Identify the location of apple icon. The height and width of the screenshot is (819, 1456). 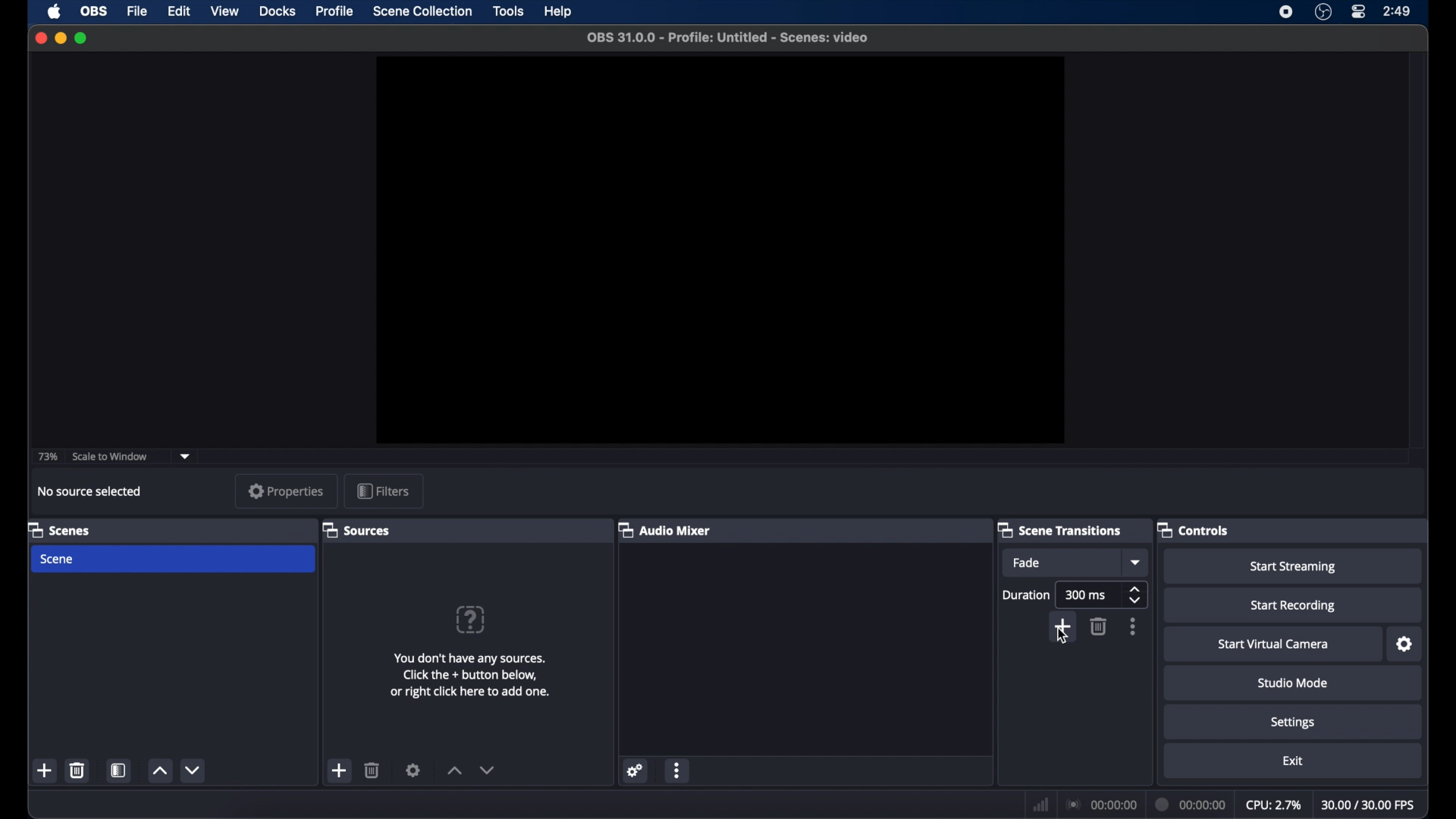
(54, 12).